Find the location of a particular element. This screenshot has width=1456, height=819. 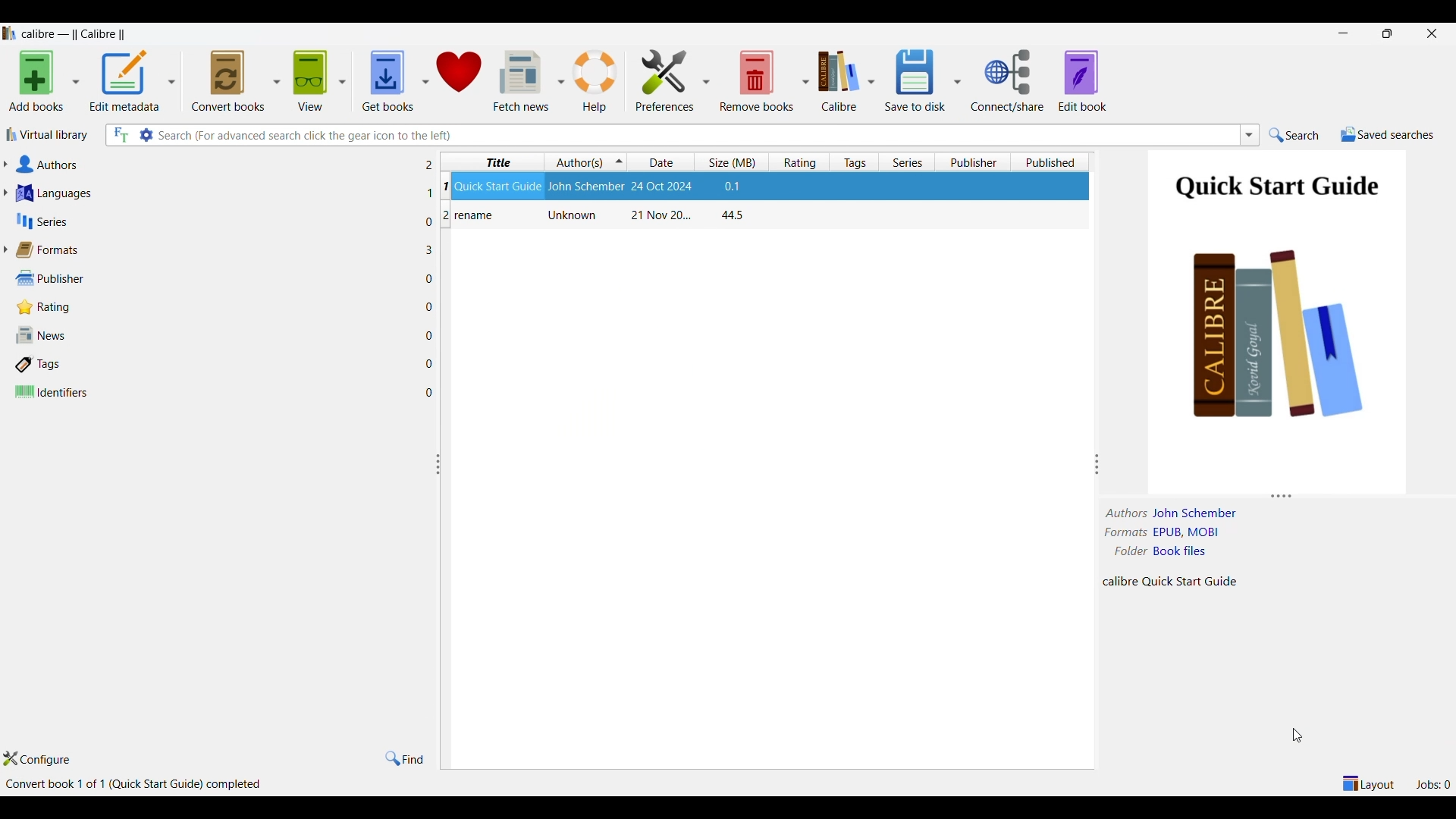

Change height of panels attached is located at coordinates (1263, 495).